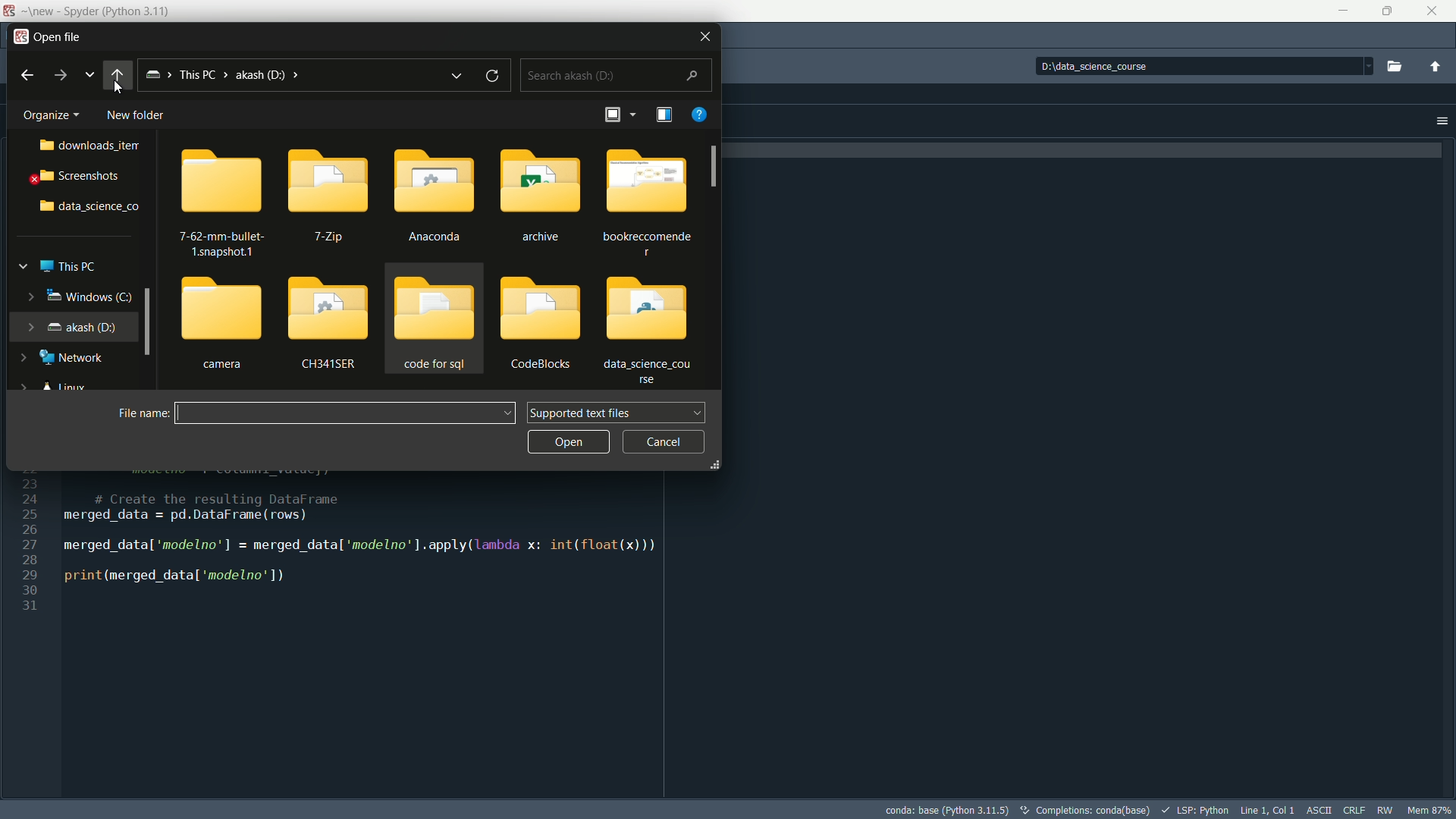  I want to click on dropdown, so click(1366, 66).